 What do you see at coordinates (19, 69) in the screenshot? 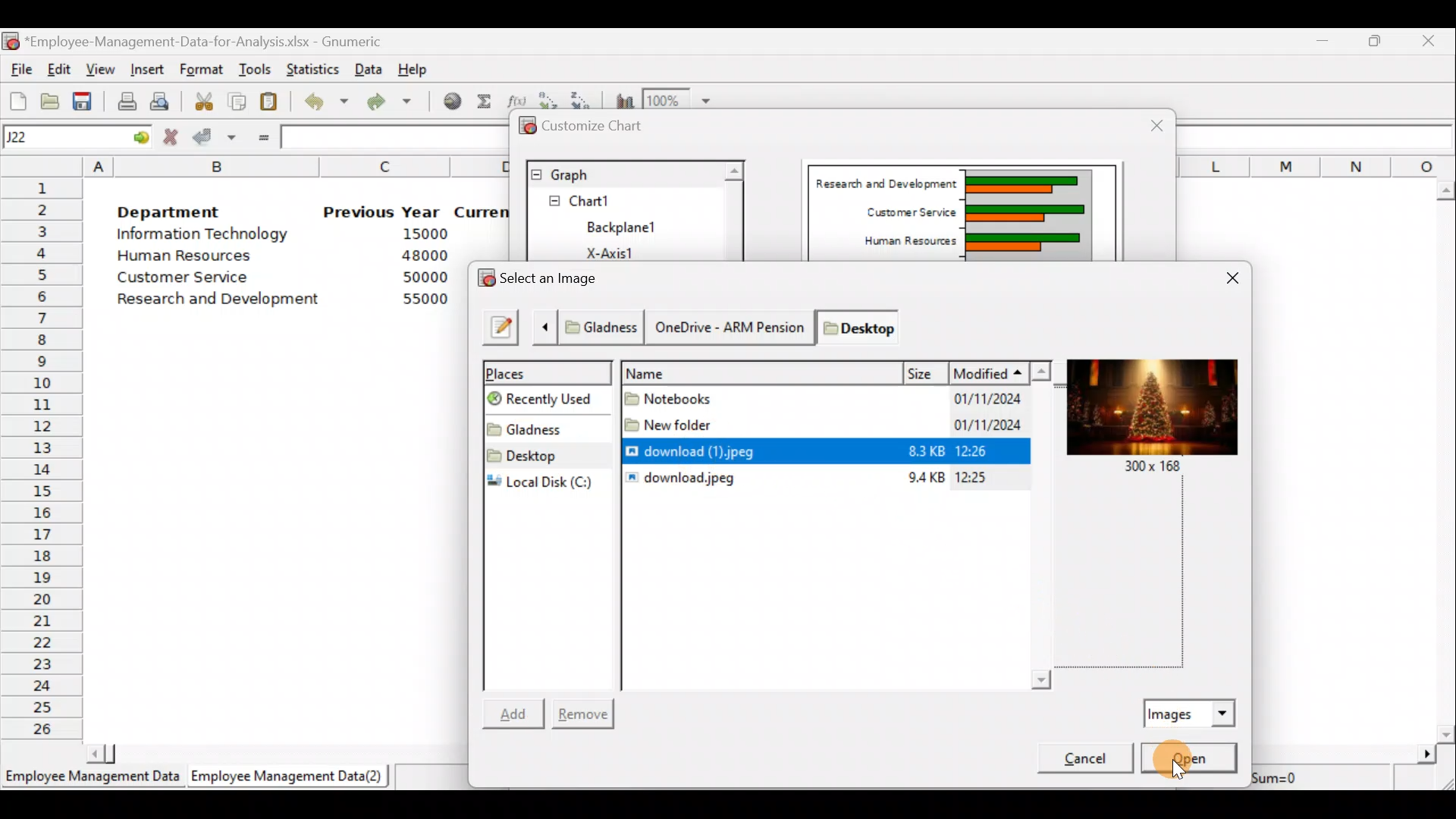
I see `File` at bounding box center [19, 69].